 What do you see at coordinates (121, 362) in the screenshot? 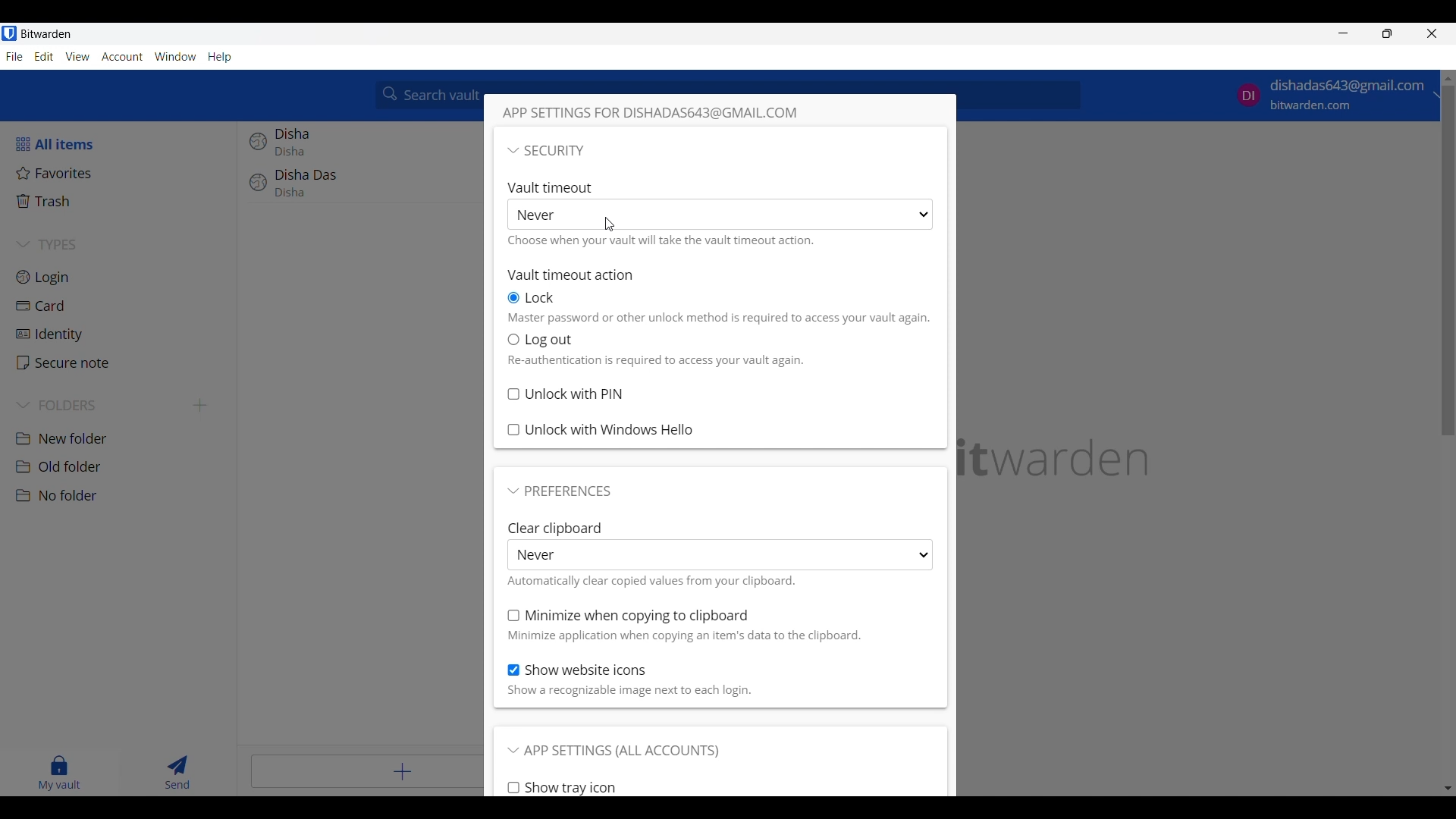
I see `Secure note` at bounding box center [121, 362].